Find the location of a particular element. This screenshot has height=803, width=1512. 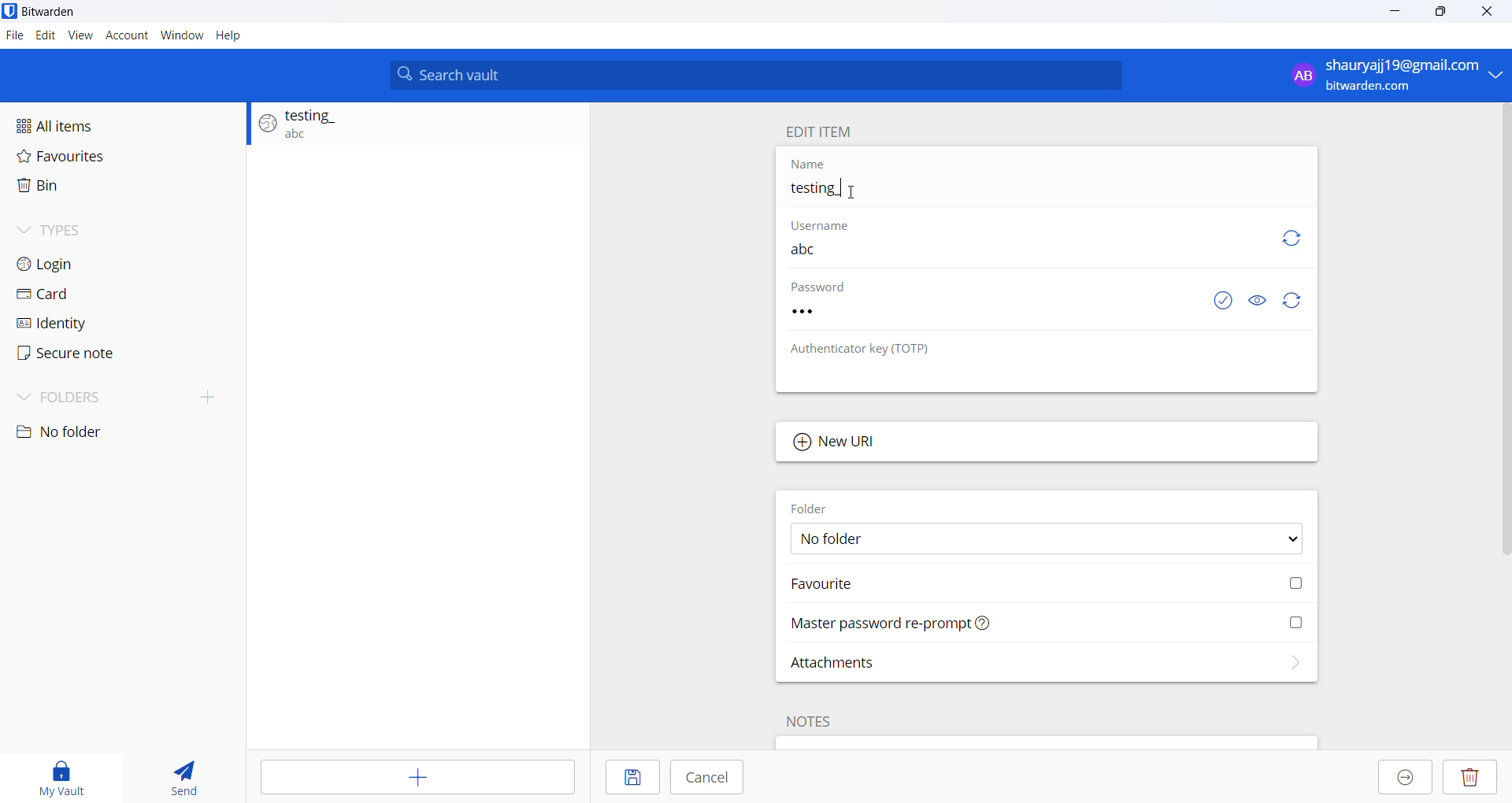

Application name  is located at coordinates (69, 12).